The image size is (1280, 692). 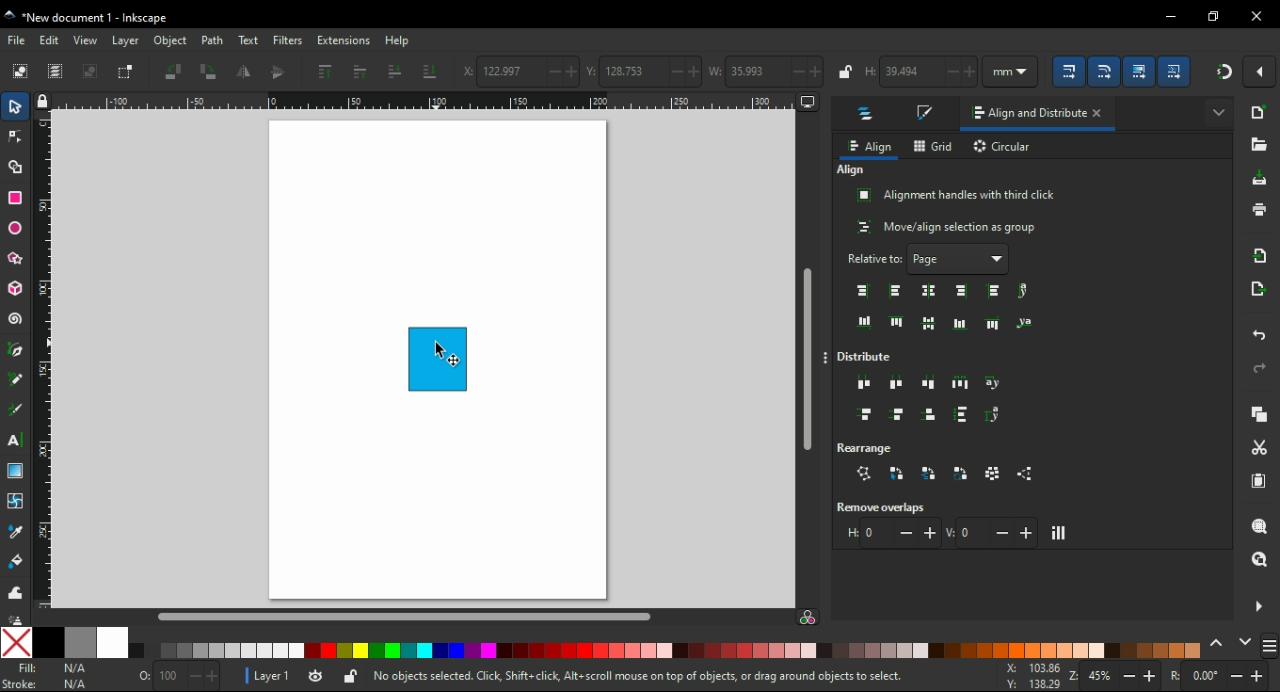 What do you see at coordinates (1023, 115) in the screenshot?
I see `align and distribute` at bounding box center [1023, 115].